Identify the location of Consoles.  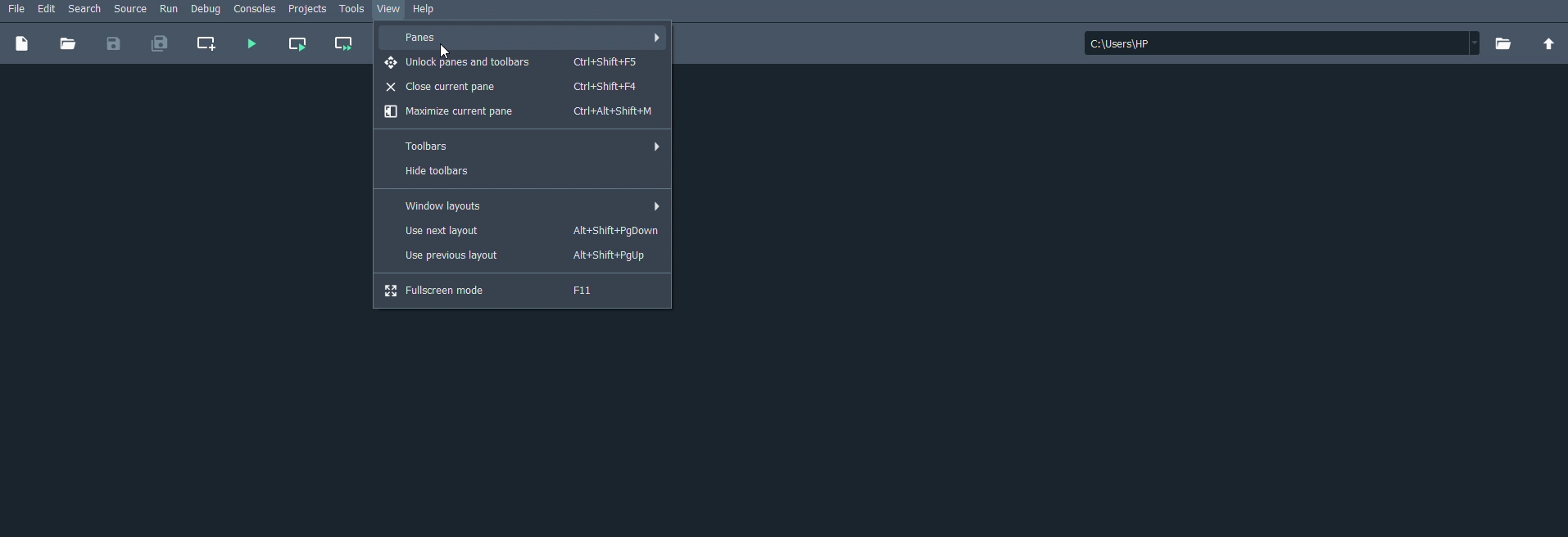
(256, 11).